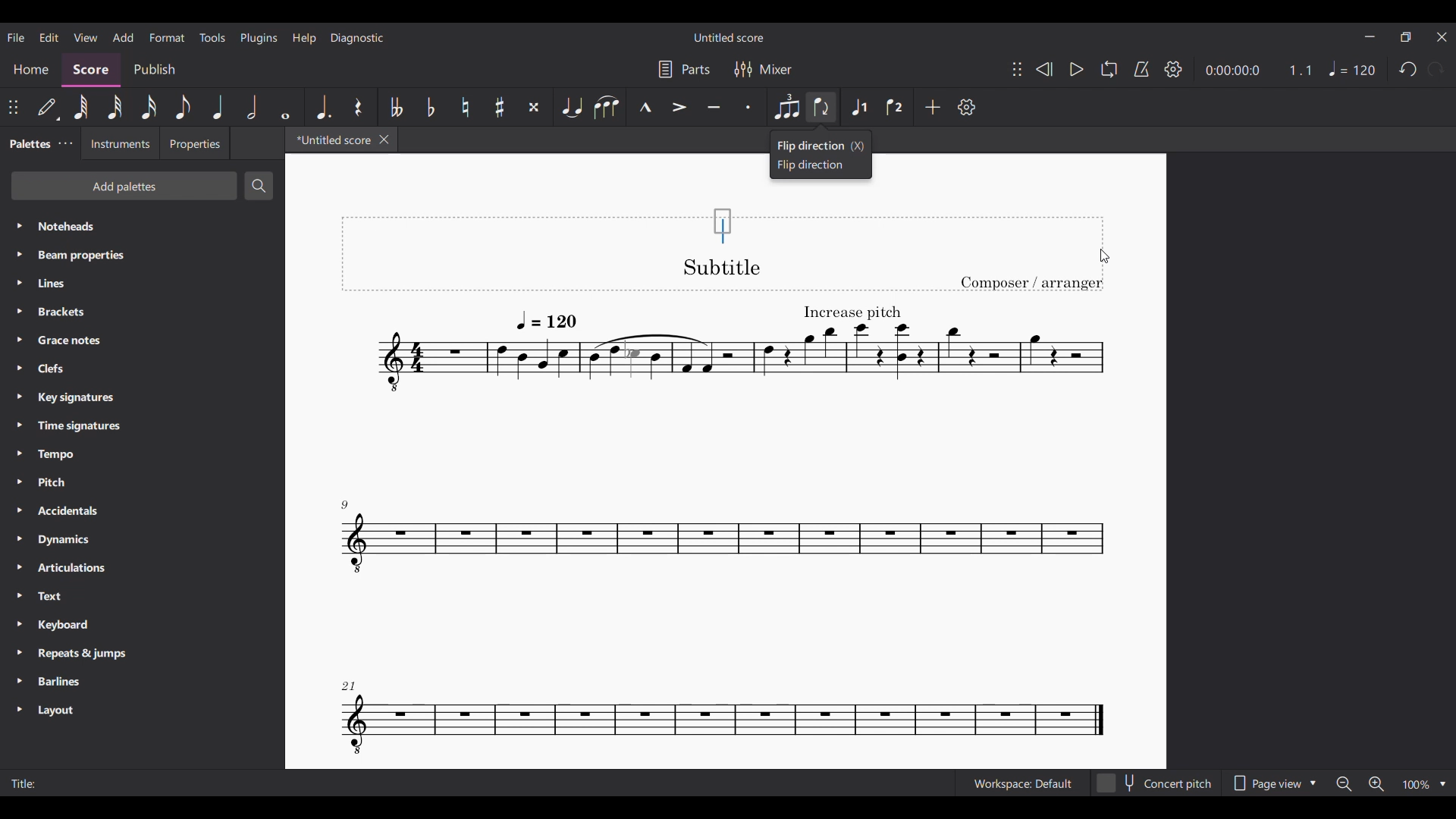  Describe the element at coordinates (142, 340) in the screenshot. I see `Grace notes` at that location.